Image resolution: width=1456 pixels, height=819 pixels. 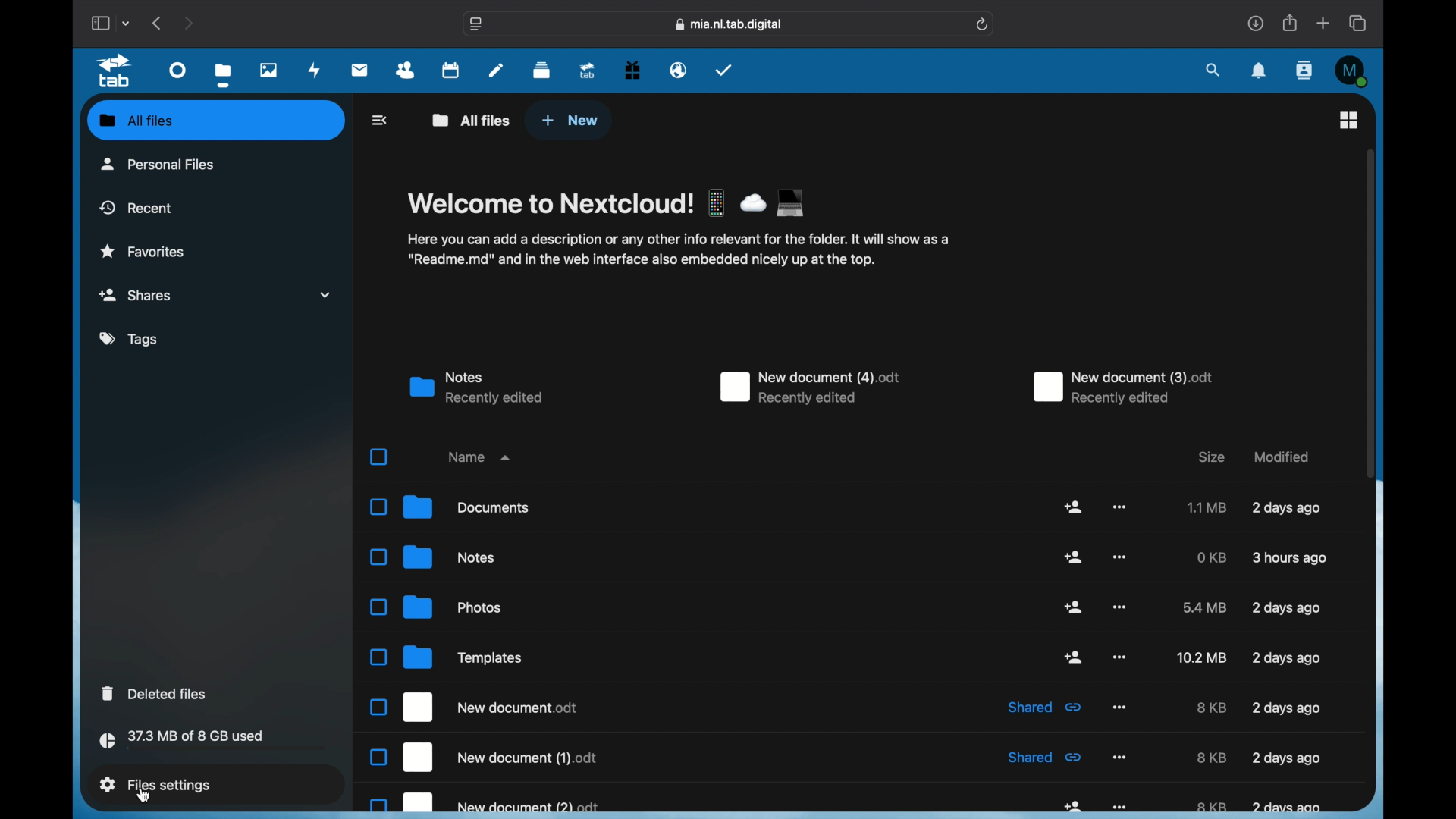 I want to click on share, so click(x=1074, y=607).